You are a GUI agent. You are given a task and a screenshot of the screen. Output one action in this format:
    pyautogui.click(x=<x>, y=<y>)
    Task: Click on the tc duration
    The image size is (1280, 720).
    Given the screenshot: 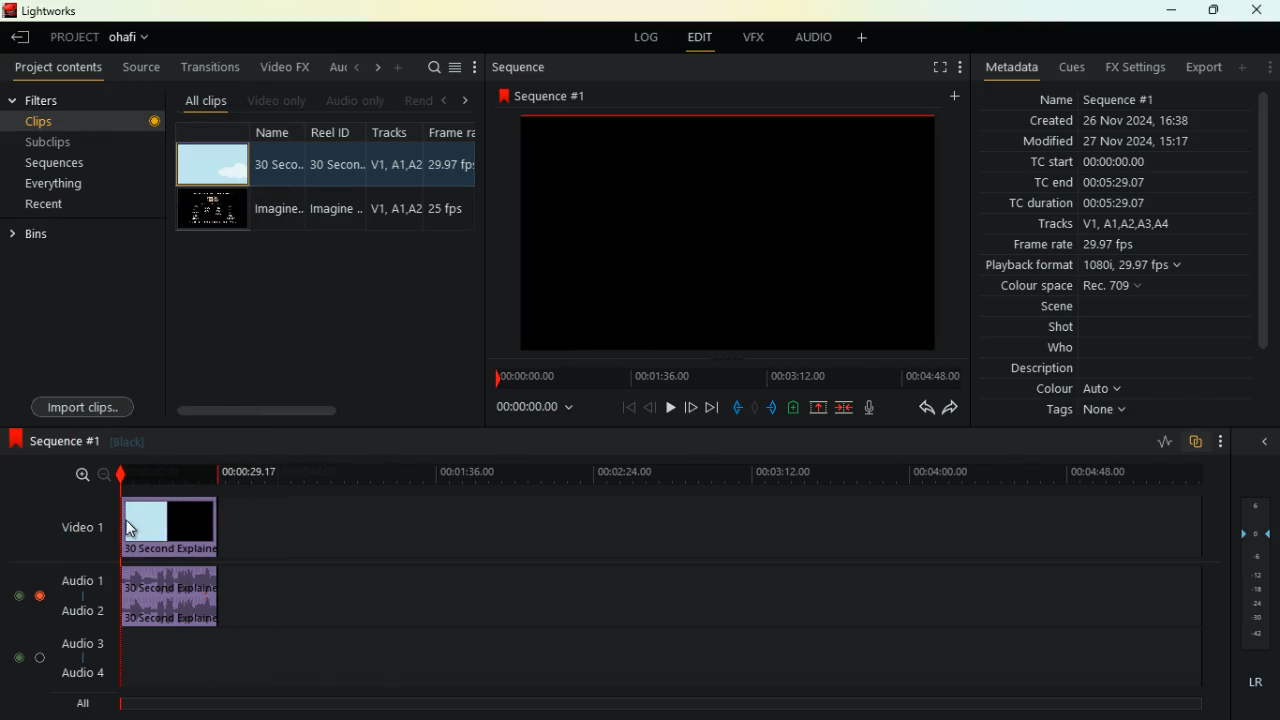 What is the action you would take?
    pyautogui.click(x=1086, y=205)
    